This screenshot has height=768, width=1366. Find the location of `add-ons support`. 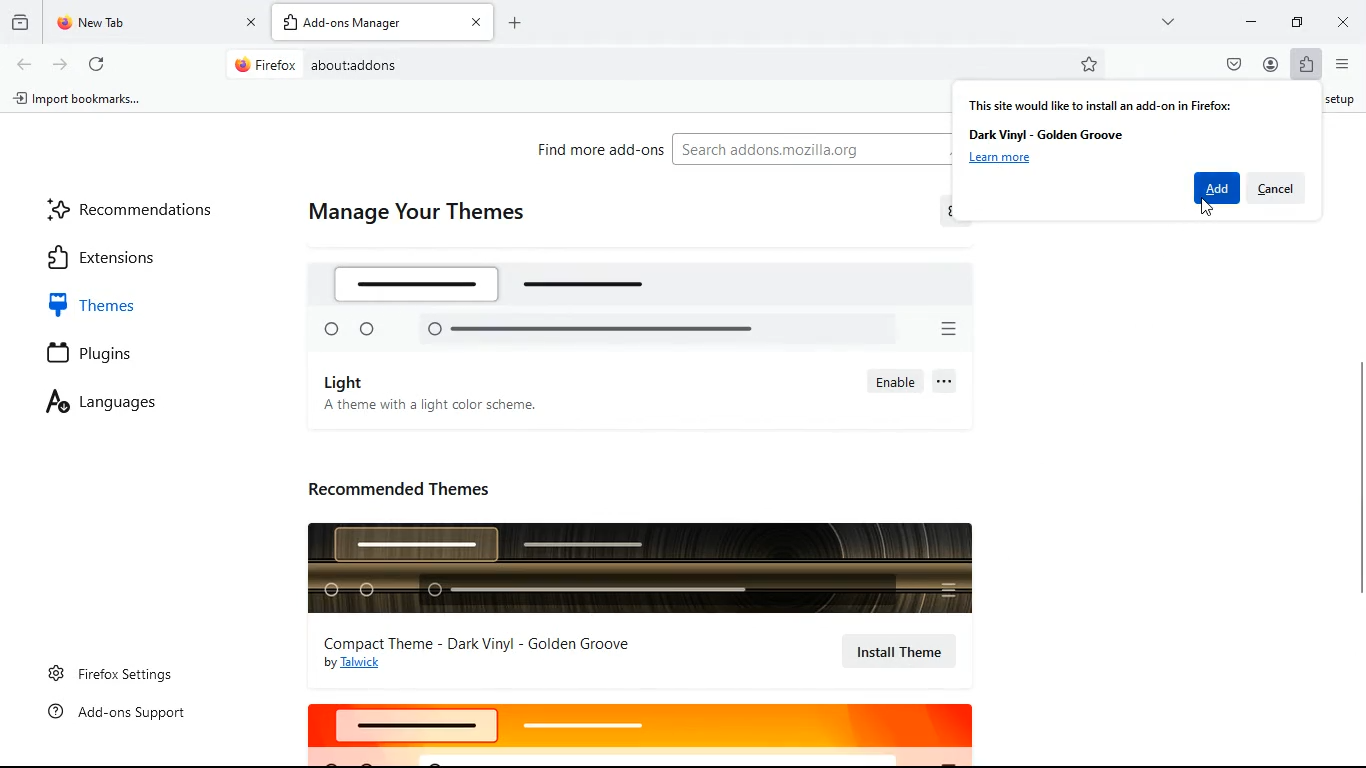

add-ons support is located at coordinates (123, 713).